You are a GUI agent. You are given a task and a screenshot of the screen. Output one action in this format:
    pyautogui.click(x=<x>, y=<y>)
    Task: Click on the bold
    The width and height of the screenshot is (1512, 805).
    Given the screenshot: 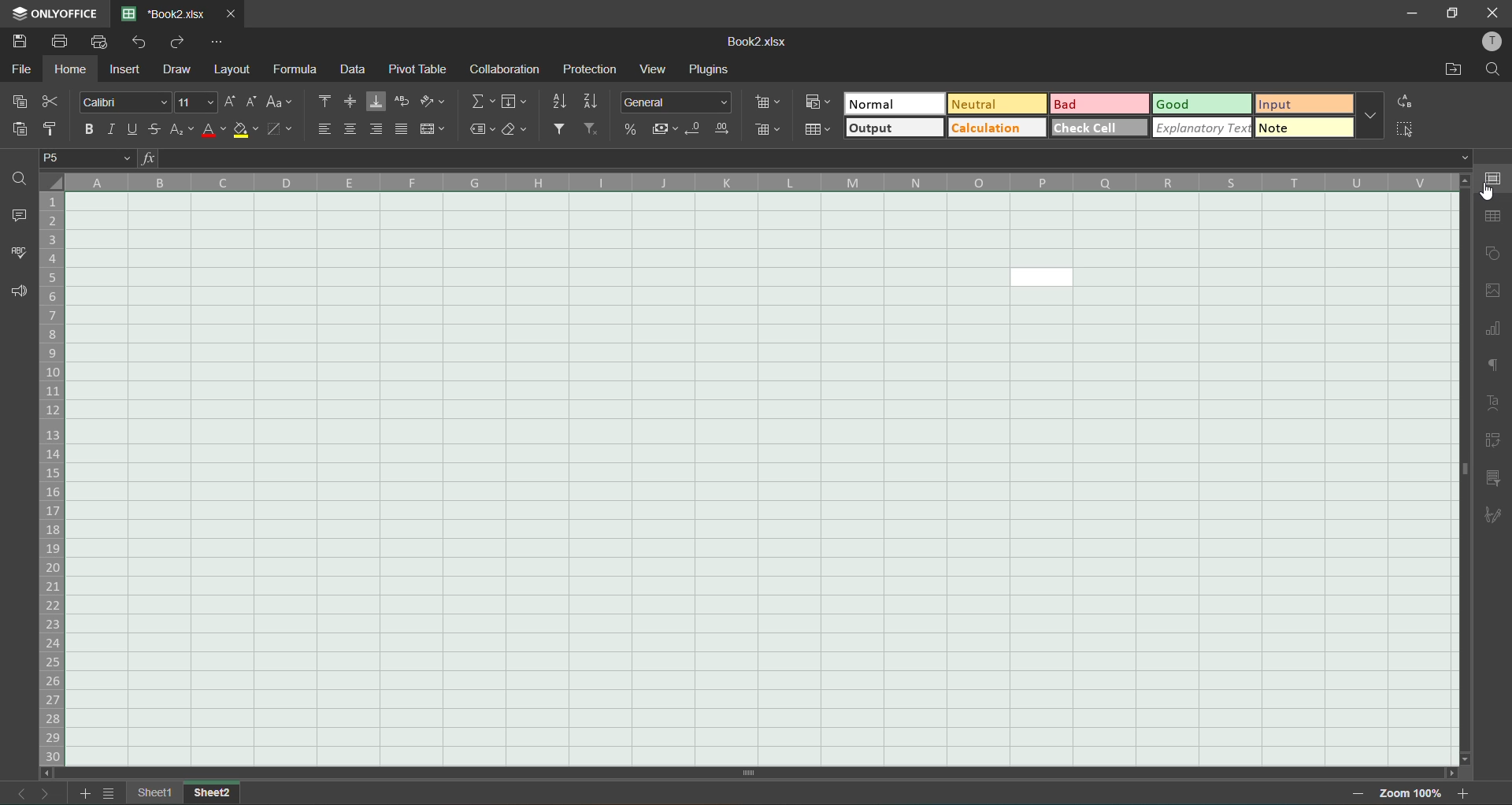 What is the action you would take?
    pyautogui.click(x=89, y=131)
    